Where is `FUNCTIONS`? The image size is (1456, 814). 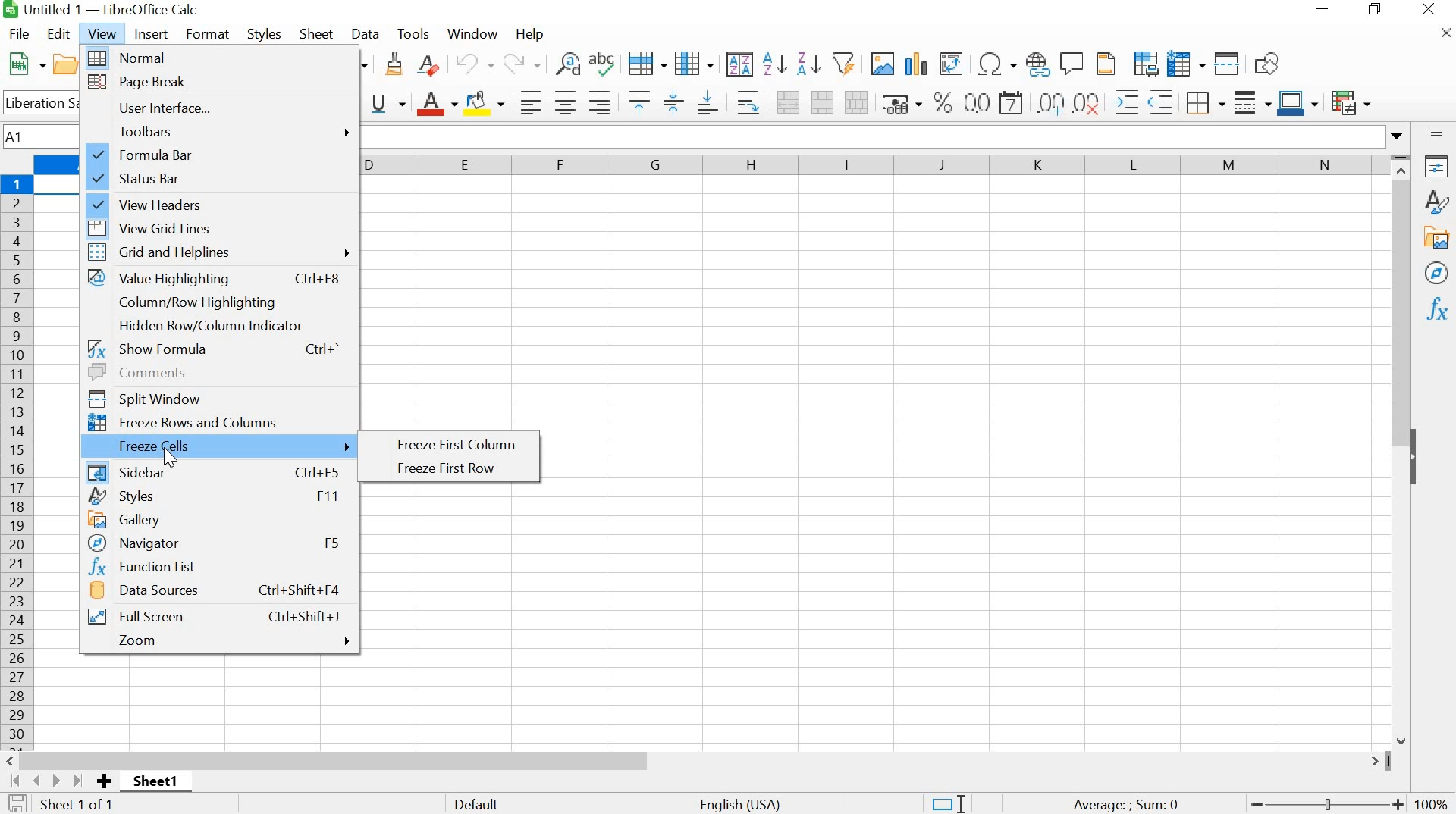
FUNCTIONS is located at coordinates (1436, 311).